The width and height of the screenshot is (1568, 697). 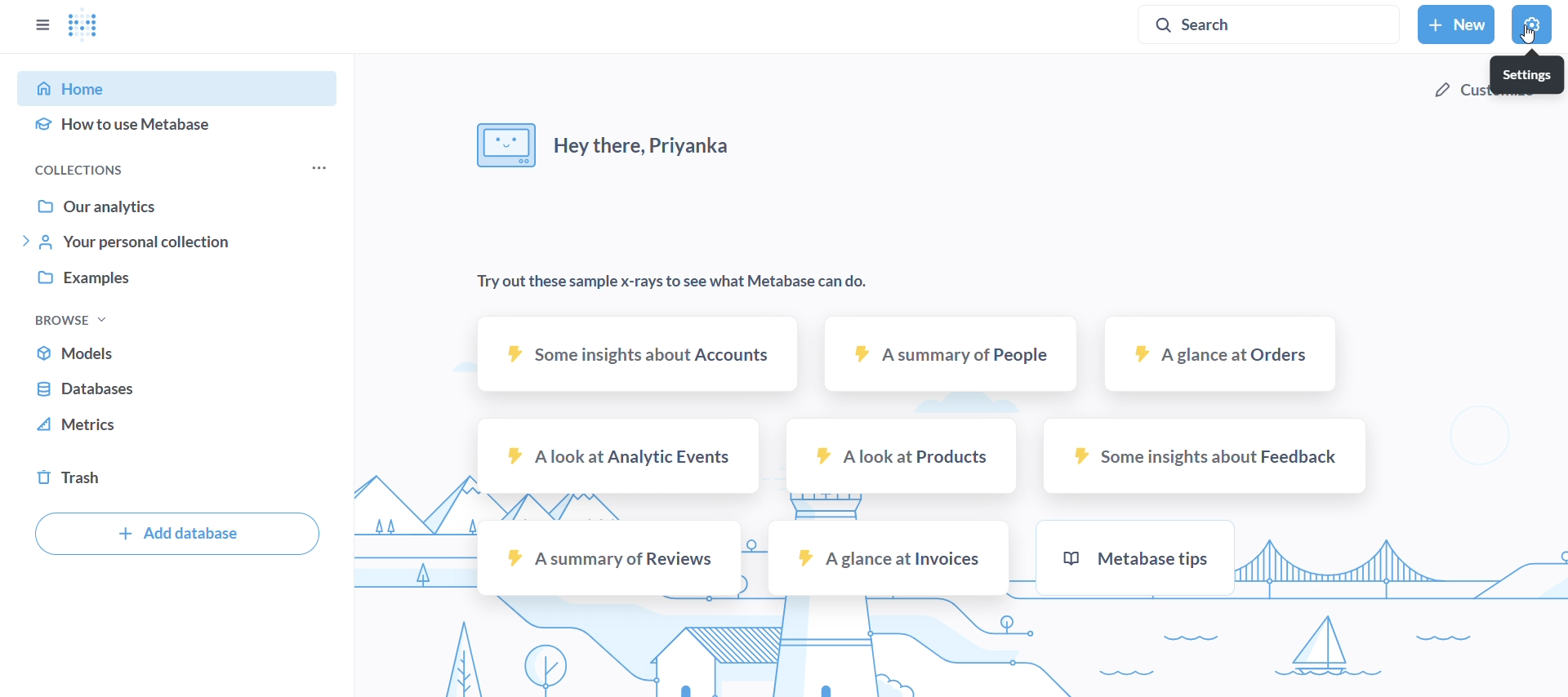 What do you see at coordinates (176, 243) in the screenshot?
I see `your personal collection` at bounding box center [176, 243].